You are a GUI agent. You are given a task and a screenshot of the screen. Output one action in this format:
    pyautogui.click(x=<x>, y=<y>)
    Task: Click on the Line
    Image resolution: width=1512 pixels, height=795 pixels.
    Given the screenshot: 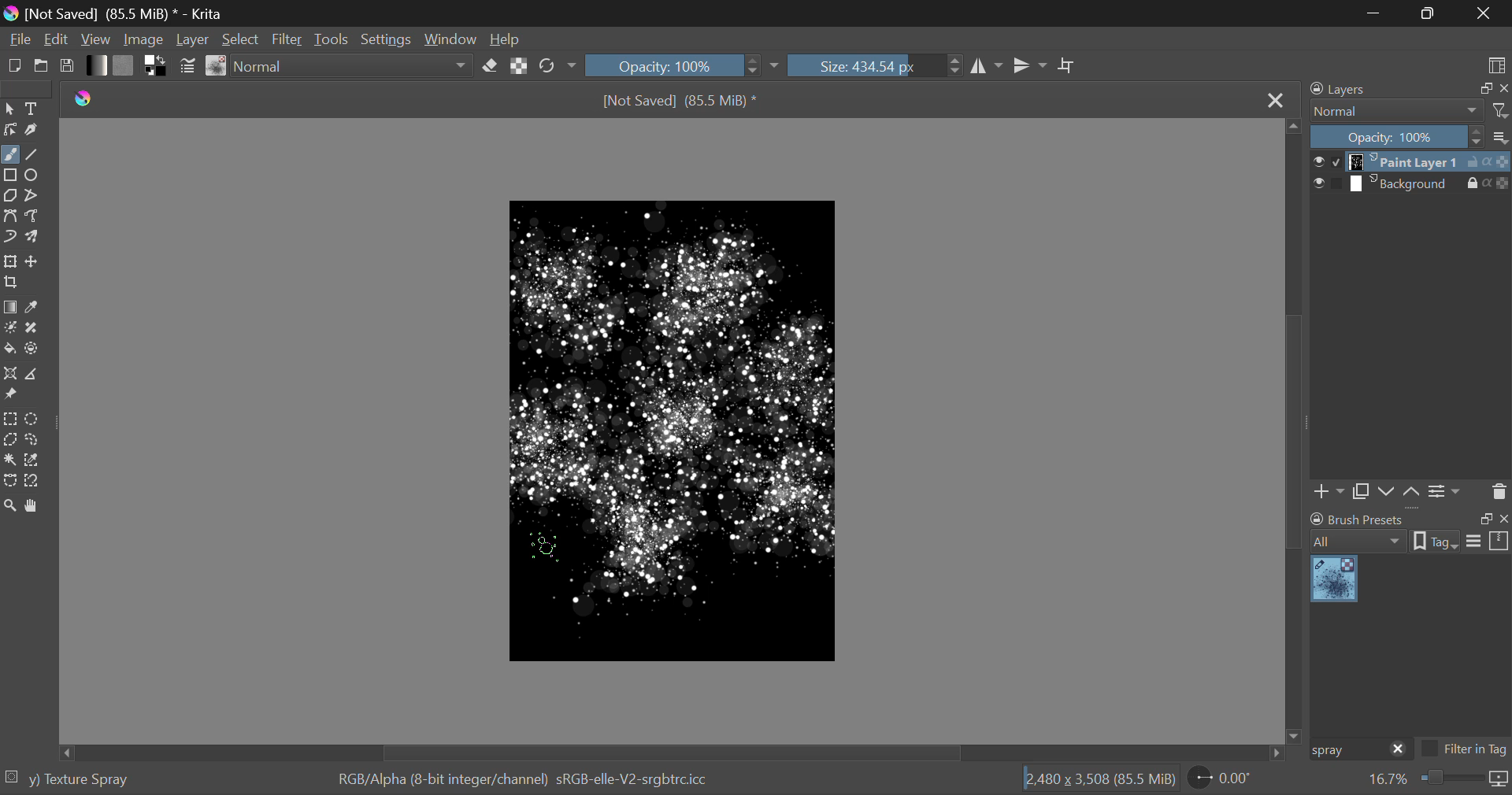 What is the action you would take?
    pyautogui.click(x=32, y=156)
    